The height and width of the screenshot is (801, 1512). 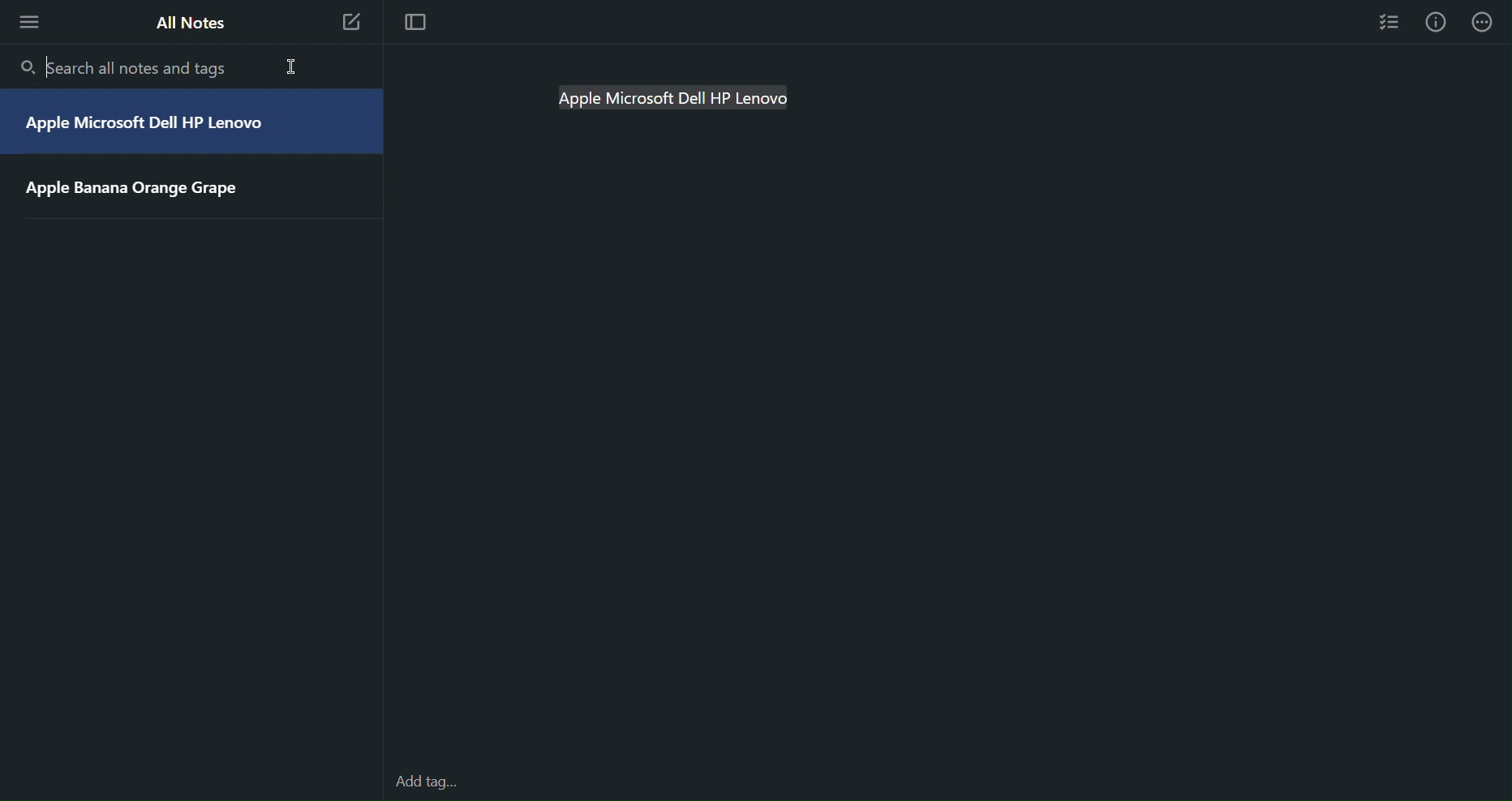 I want to click on Apple Microsoft Dell HP Lenovo, so click(x=148, y=126).